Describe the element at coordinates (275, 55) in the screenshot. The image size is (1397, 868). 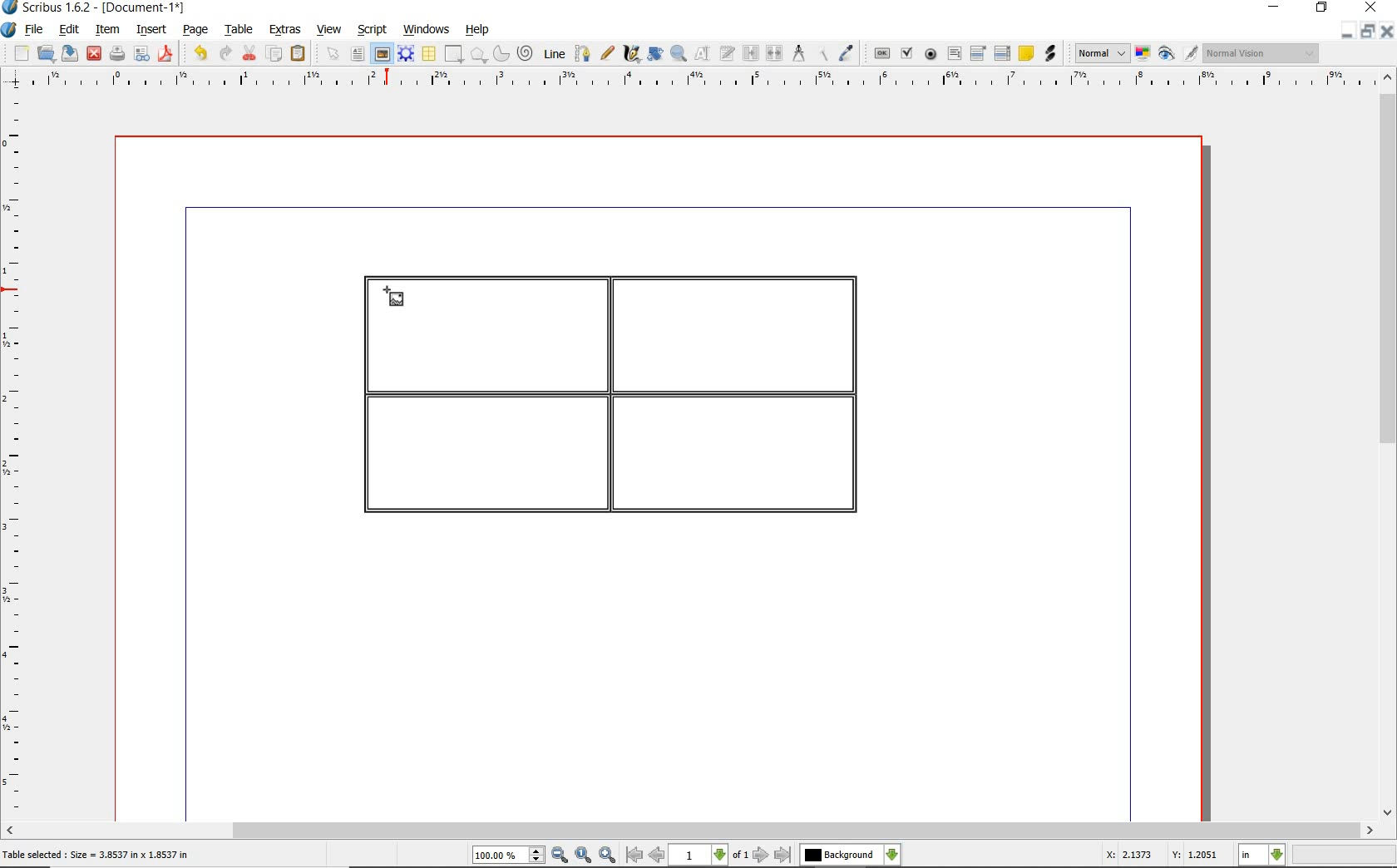
I see `copy` at that location.